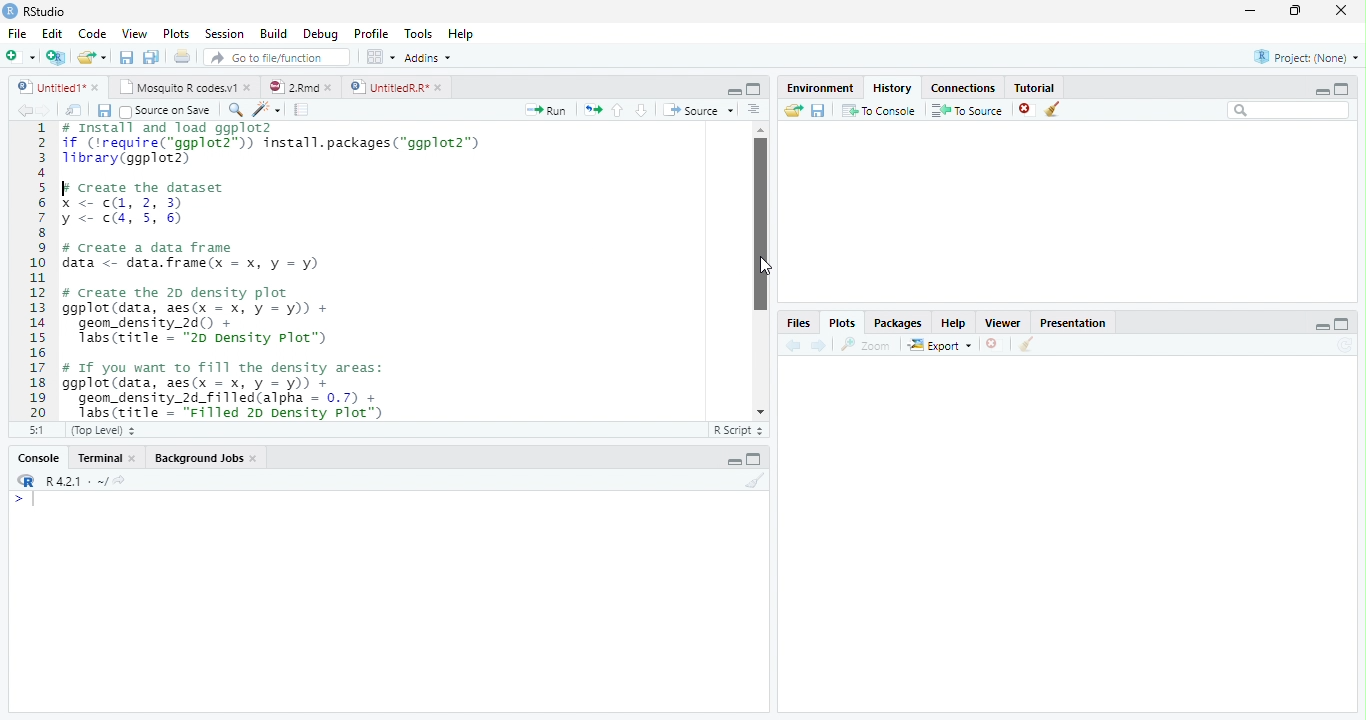 The height and width of the screenshot is (720, 1366). Describe the element at coordinates (841, 322) in the screenshot. I see `Plots` at that location.